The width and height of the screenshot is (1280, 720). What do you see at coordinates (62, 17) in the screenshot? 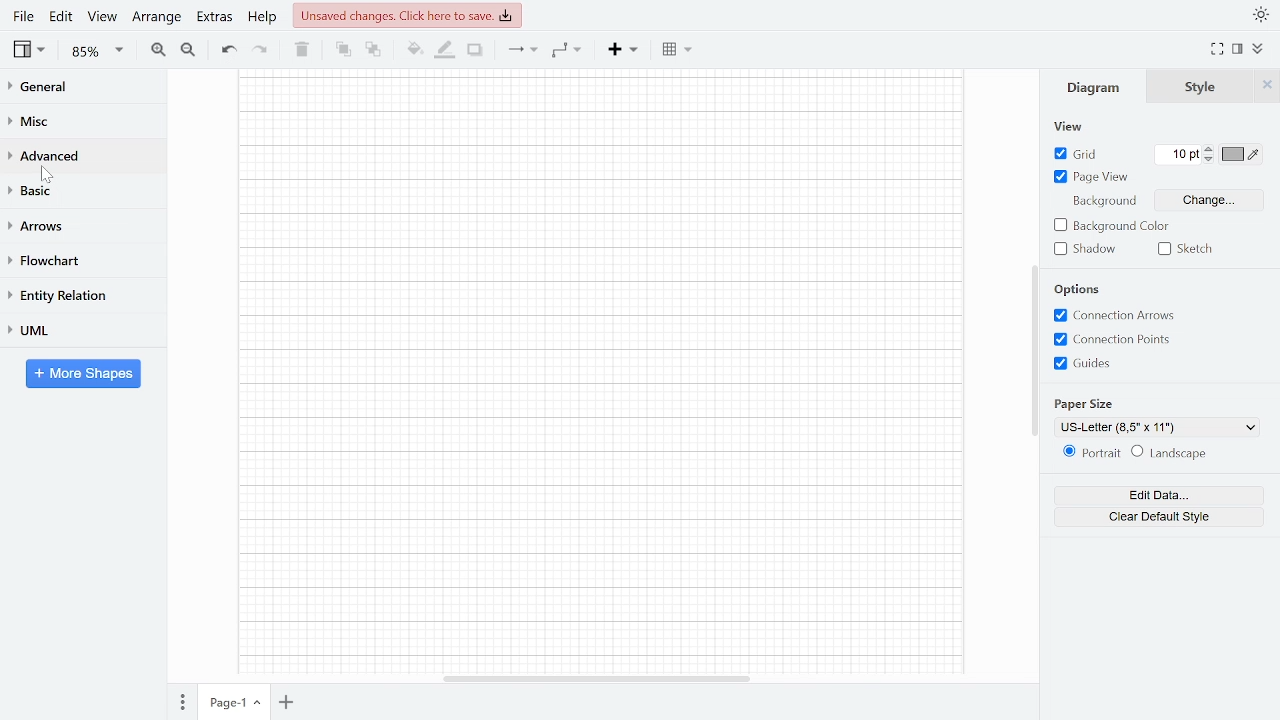
I see `Edit` at bounding box center [62, 17].